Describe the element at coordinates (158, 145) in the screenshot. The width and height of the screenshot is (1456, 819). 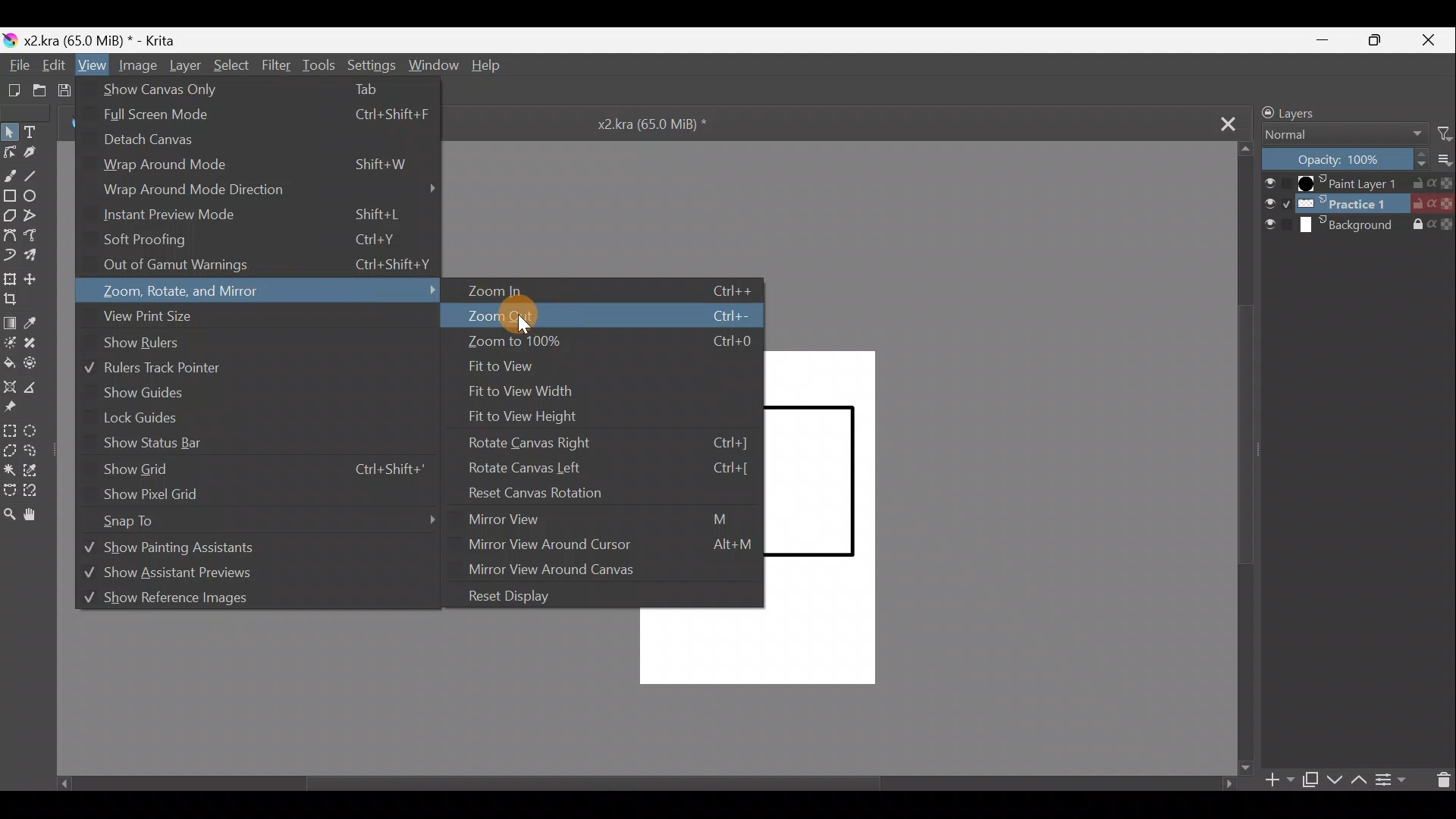
I see `Detach canvas` at that location.